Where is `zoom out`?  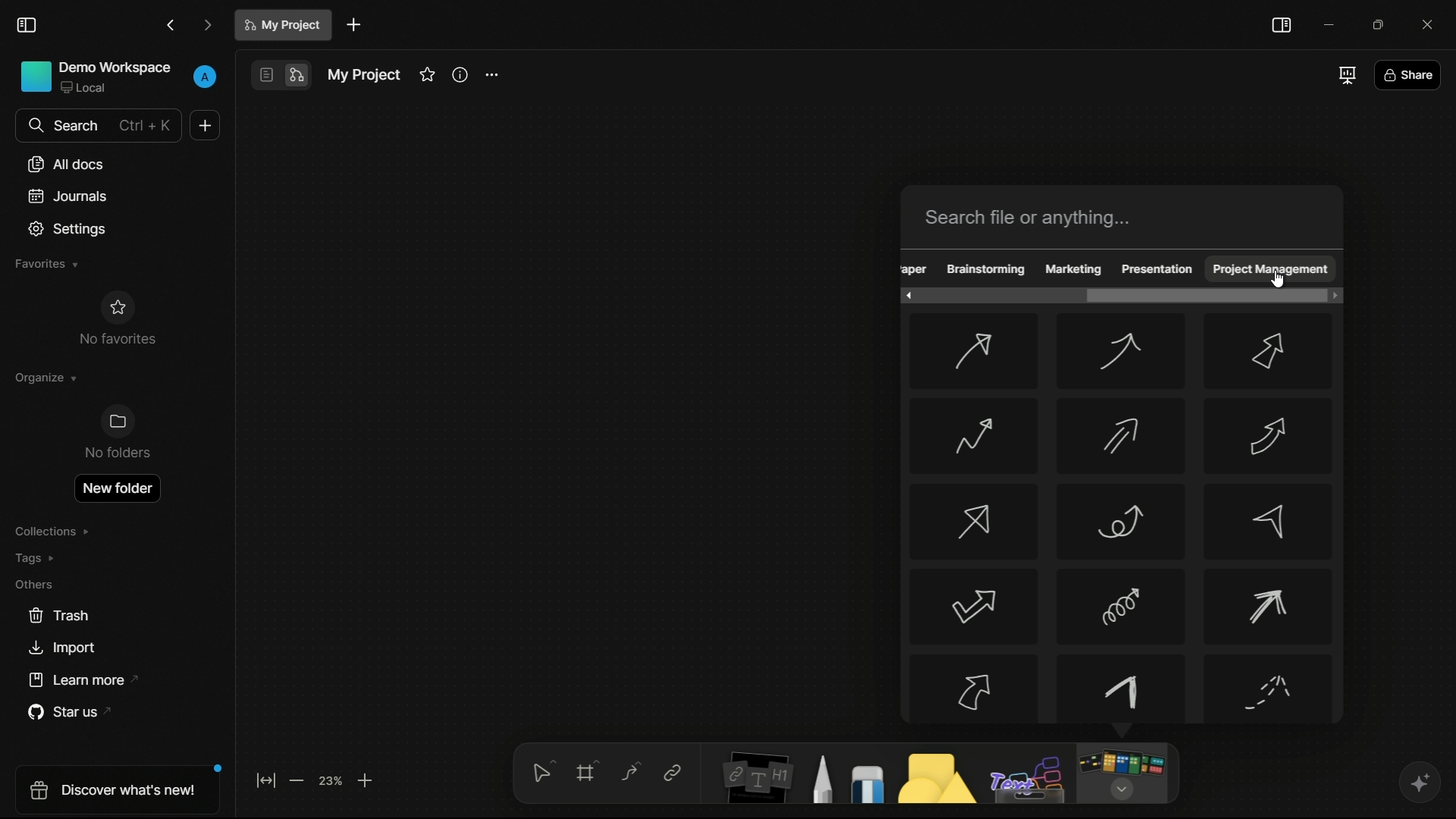 zoom out is located at coordinates (295, 780).